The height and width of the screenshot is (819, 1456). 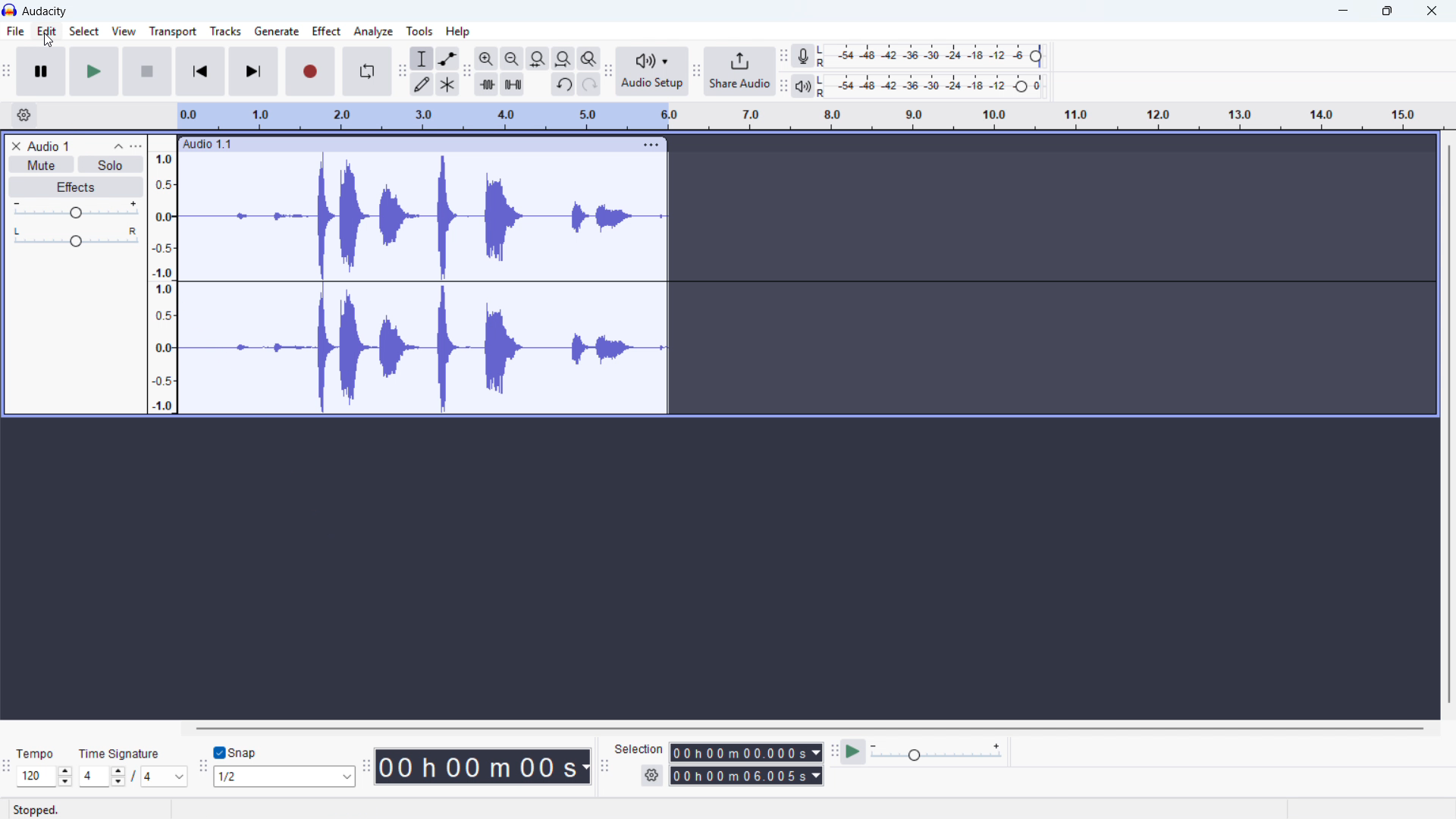 What do you see at coordinates (1448, 424) in the screenshot?
I see `vertical scrollbar` at bounding box center [1448, 424].